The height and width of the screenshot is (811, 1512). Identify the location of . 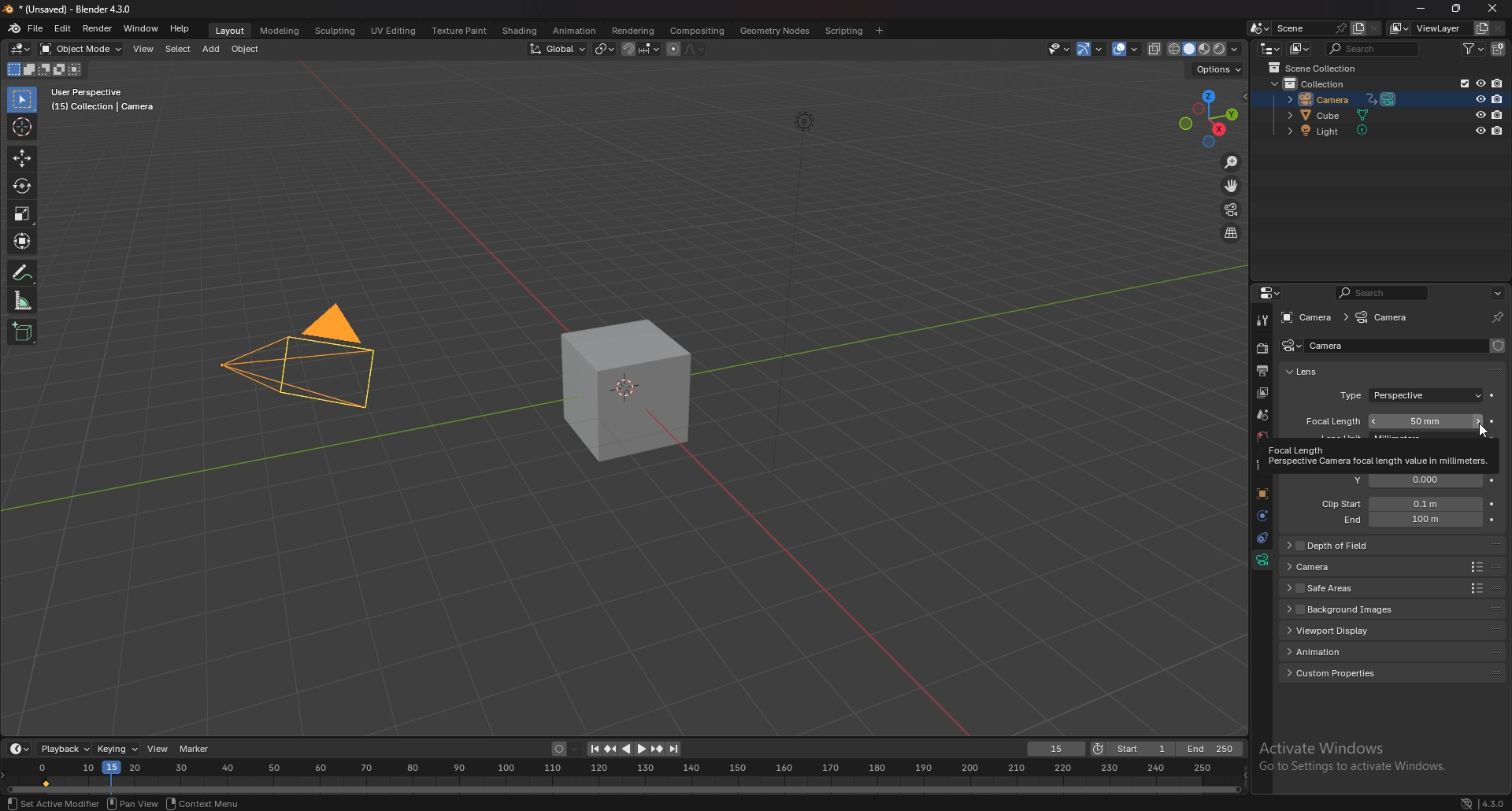
(1362, 757).